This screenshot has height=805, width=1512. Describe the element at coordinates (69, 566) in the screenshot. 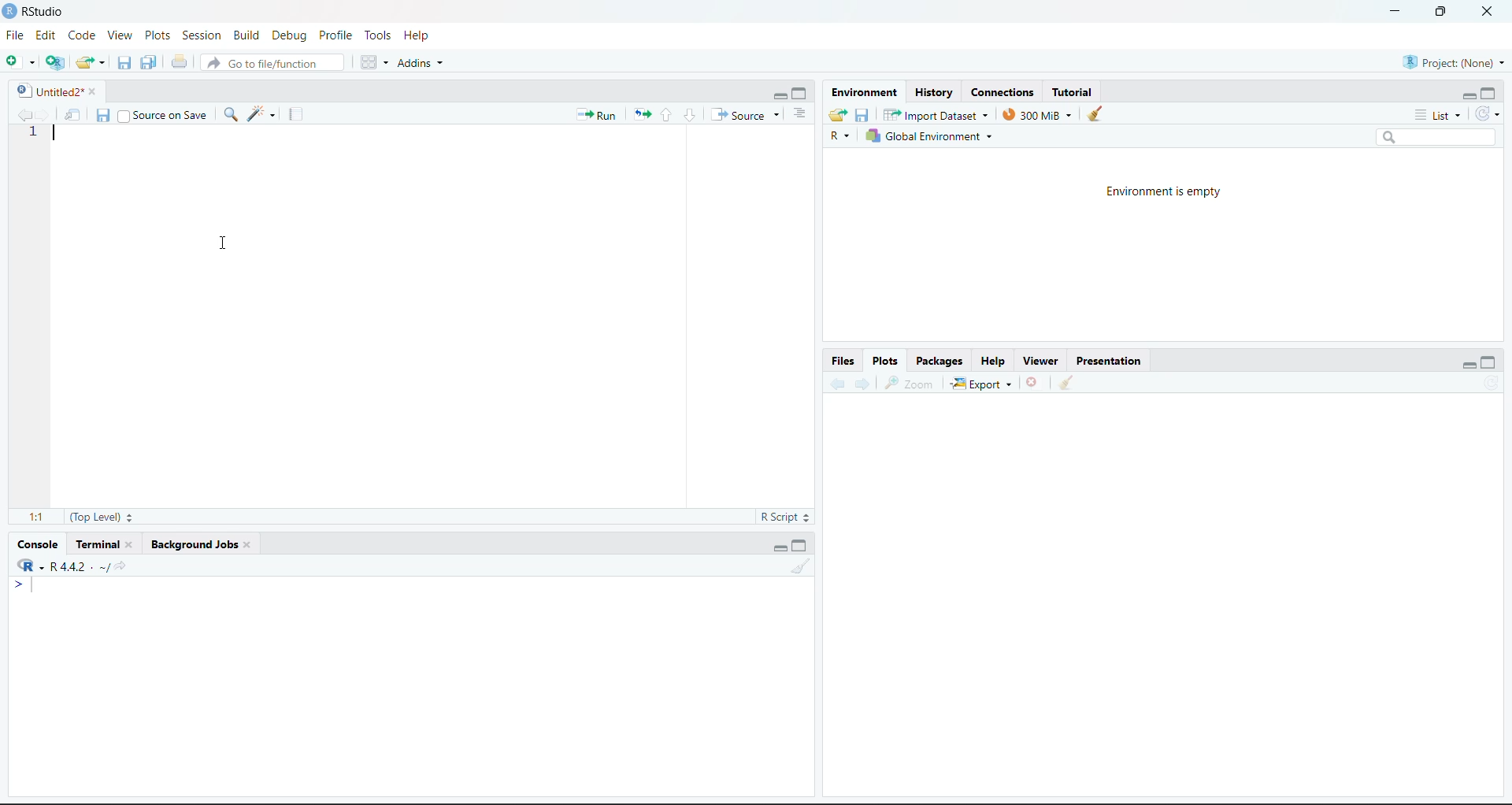

I see `®R-R442. ~/` at that location.